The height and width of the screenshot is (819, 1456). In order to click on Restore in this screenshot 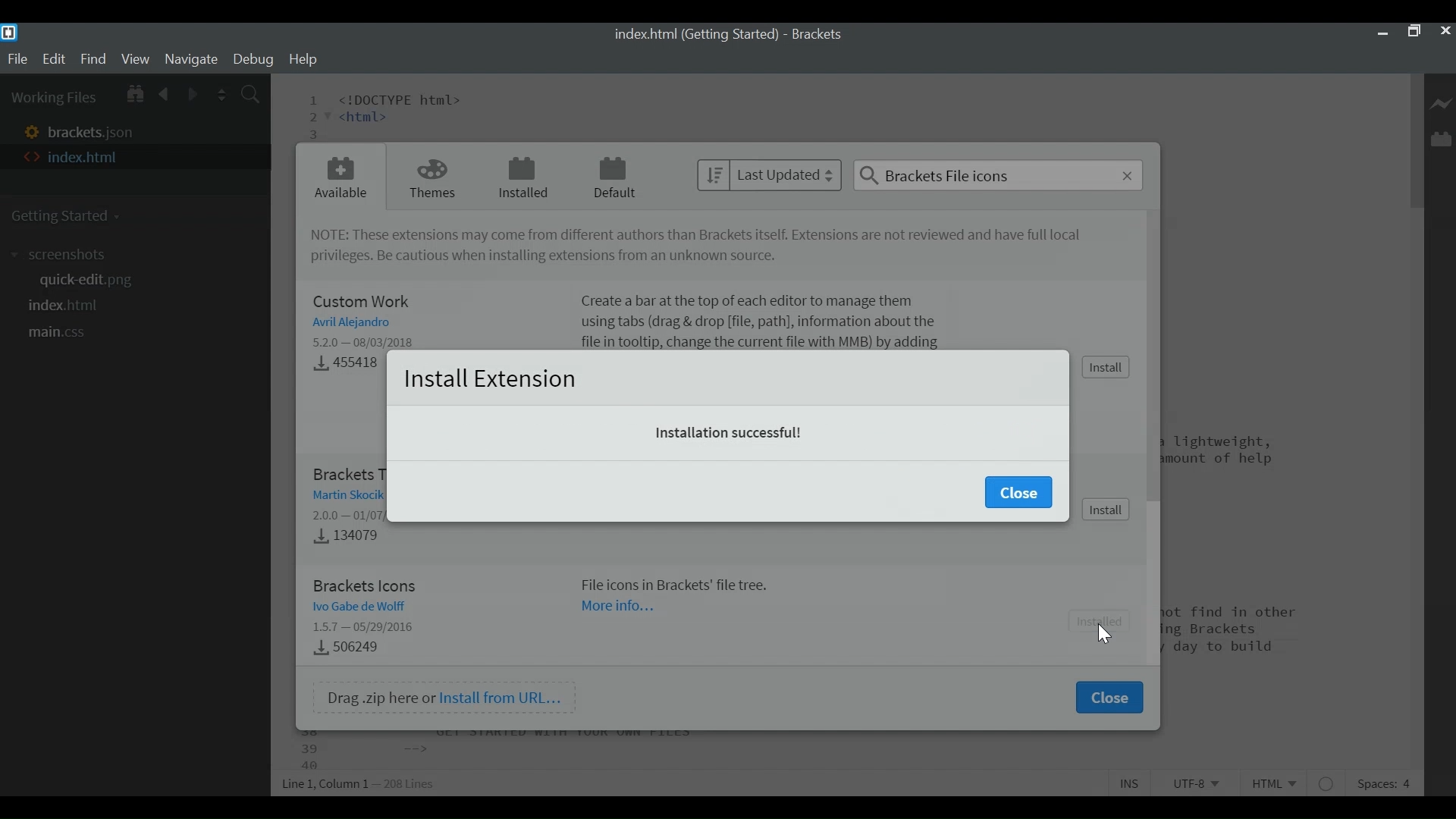, I will do `click(1414, 33)`.